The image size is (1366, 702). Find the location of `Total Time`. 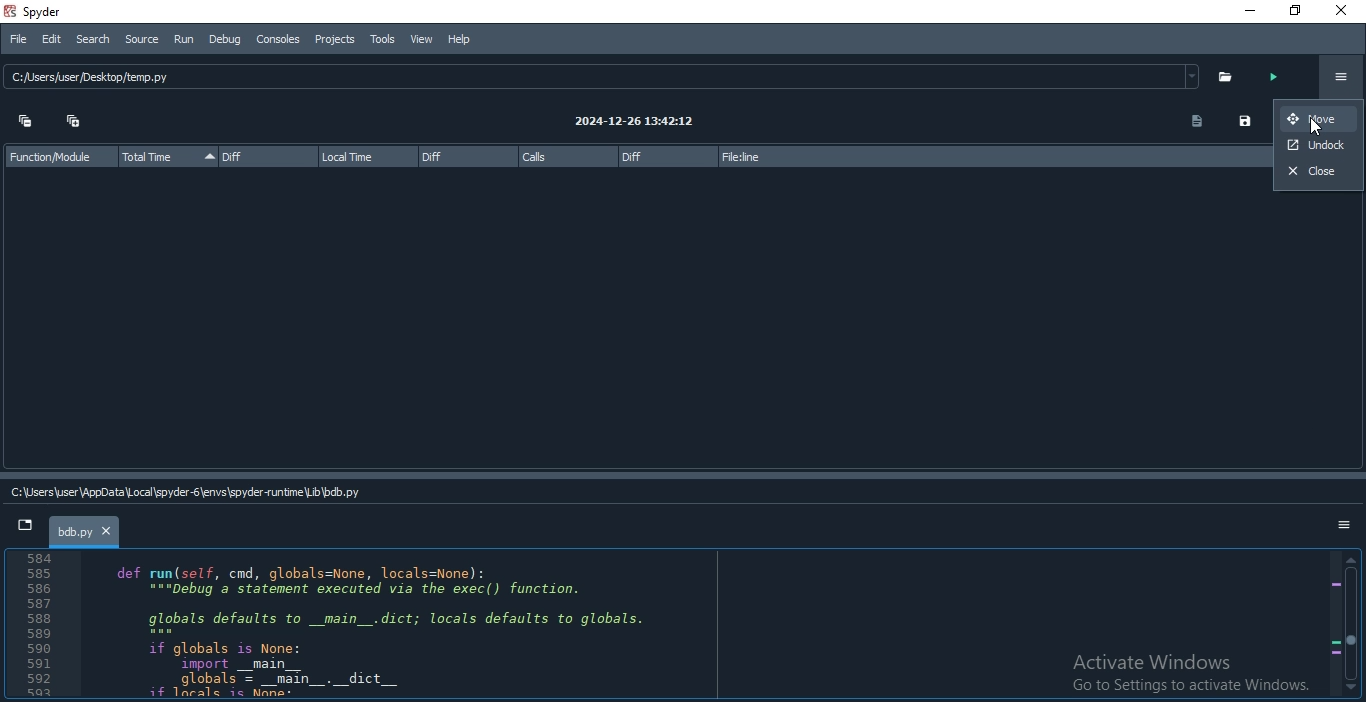

Total Time is located at coordinates (167, 157).